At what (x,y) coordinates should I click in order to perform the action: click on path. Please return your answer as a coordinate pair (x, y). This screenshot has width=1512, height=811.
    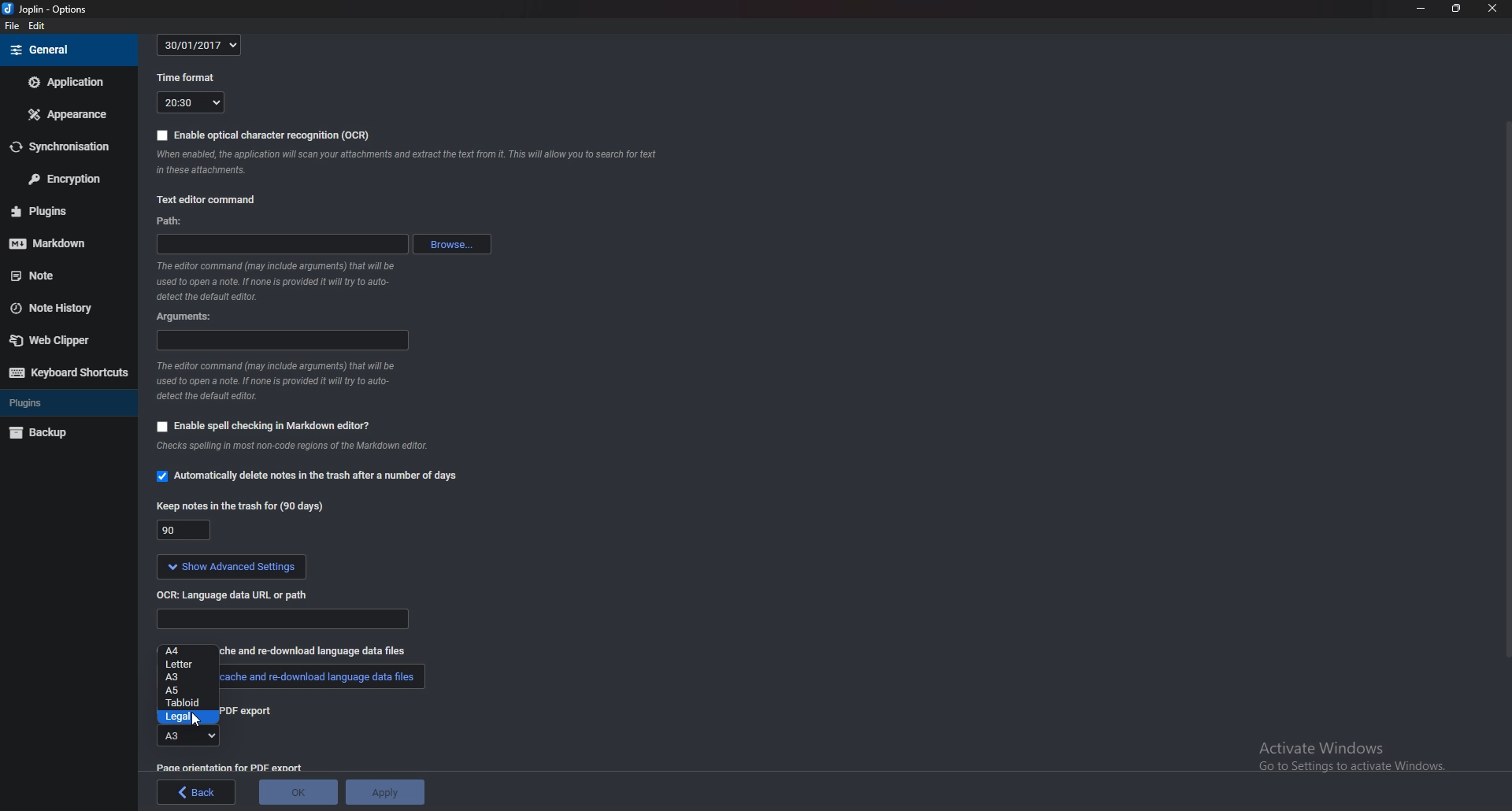
    Looking at the image, I should click on (171, 220).